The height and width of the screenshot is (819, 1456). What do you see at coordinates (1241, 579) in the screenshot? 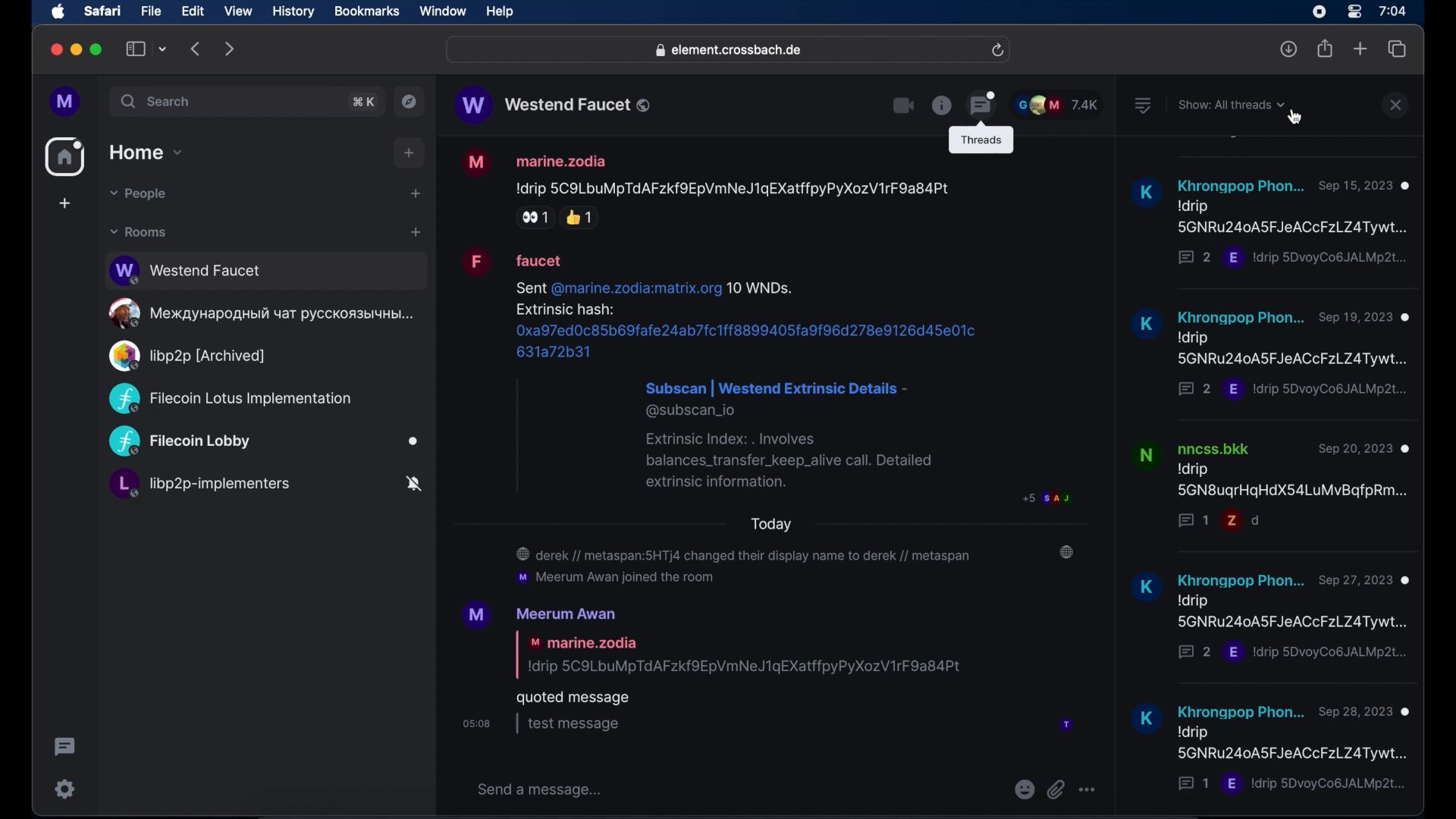
I see `khrongpop Phon...` at bounding box center [1241, 579].